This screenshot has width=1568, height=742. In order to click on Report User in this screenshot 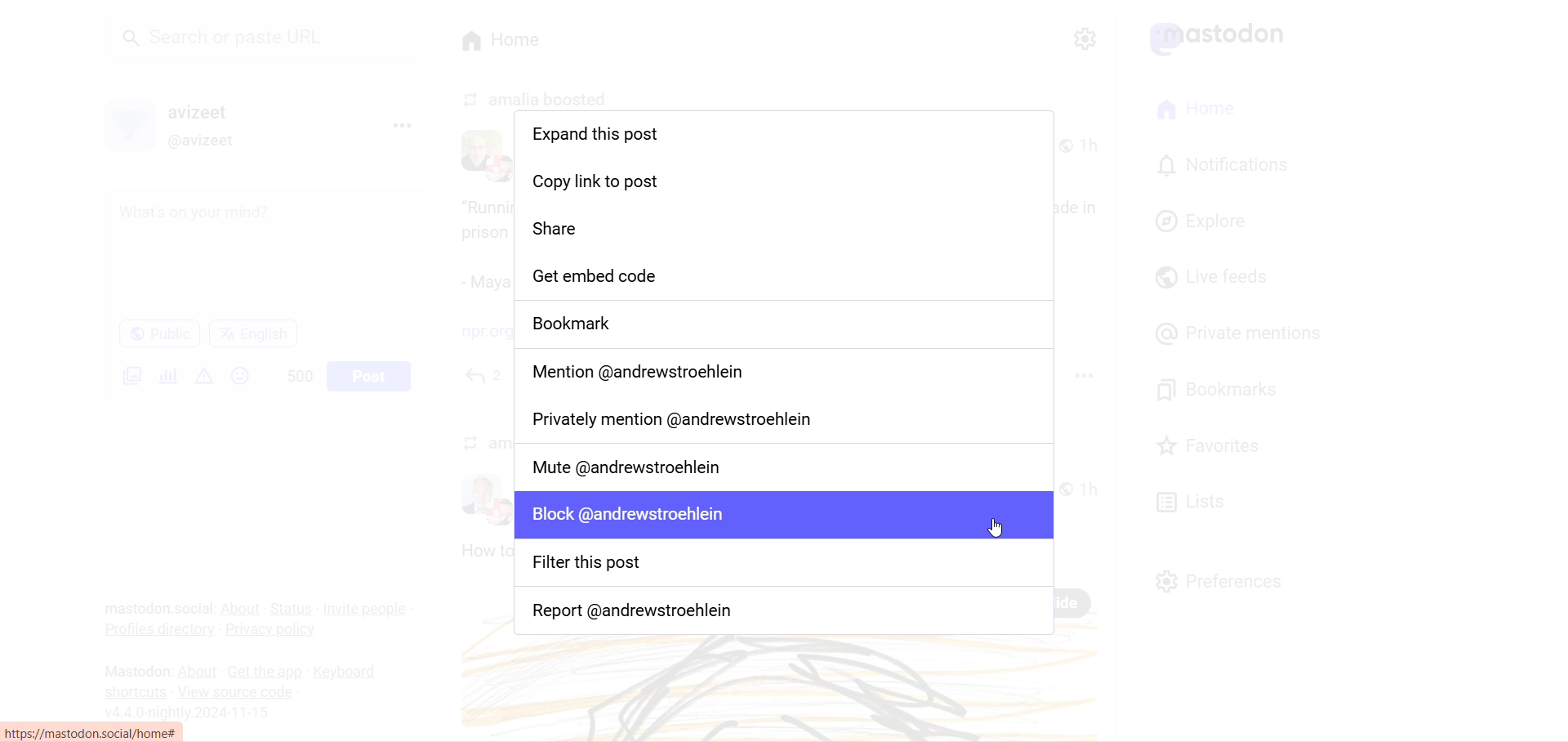, I will do `click(781, 607)`.